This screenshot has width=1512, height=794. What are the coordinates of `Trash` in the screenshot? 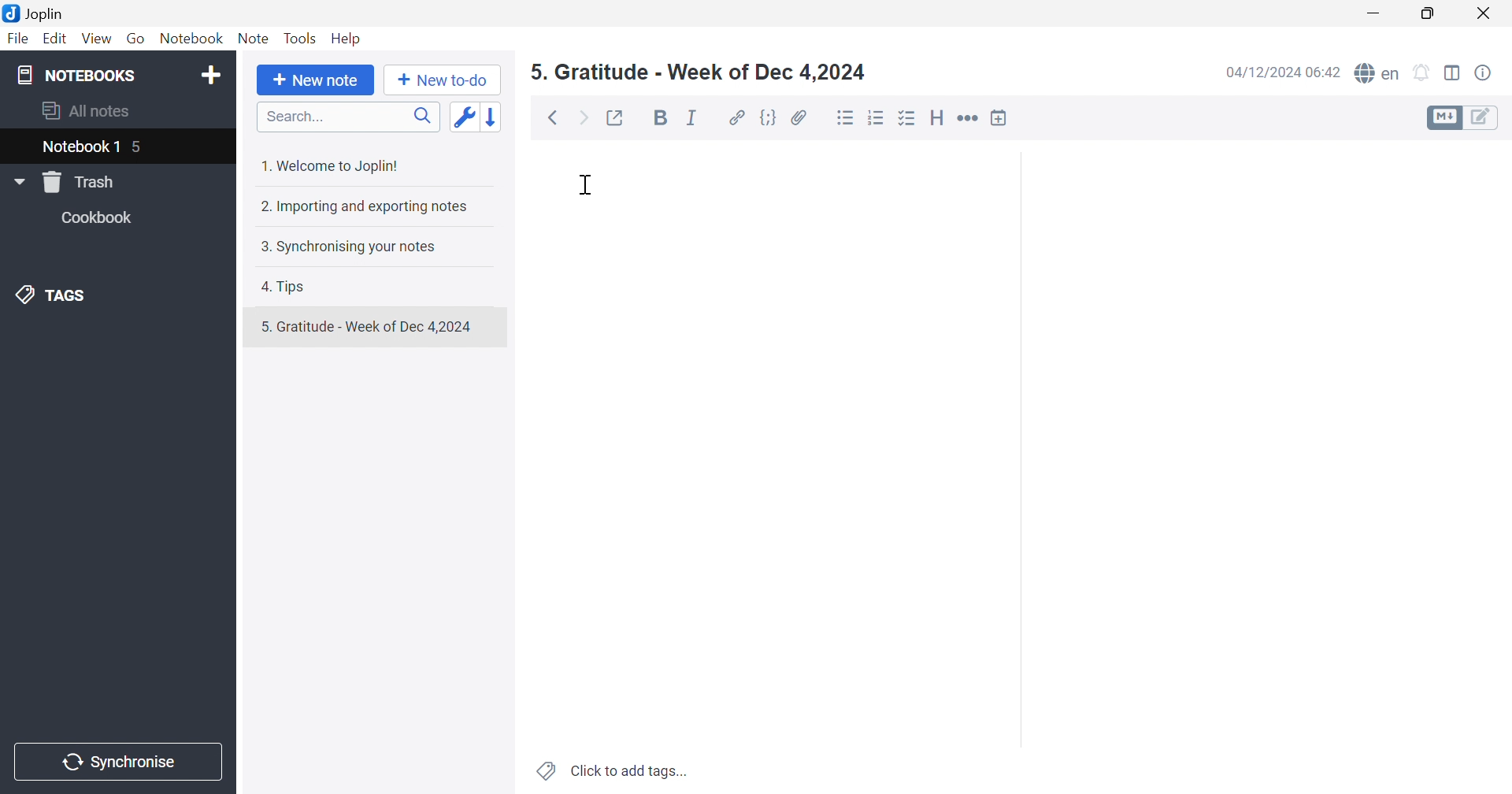 It's located at (79, 183).